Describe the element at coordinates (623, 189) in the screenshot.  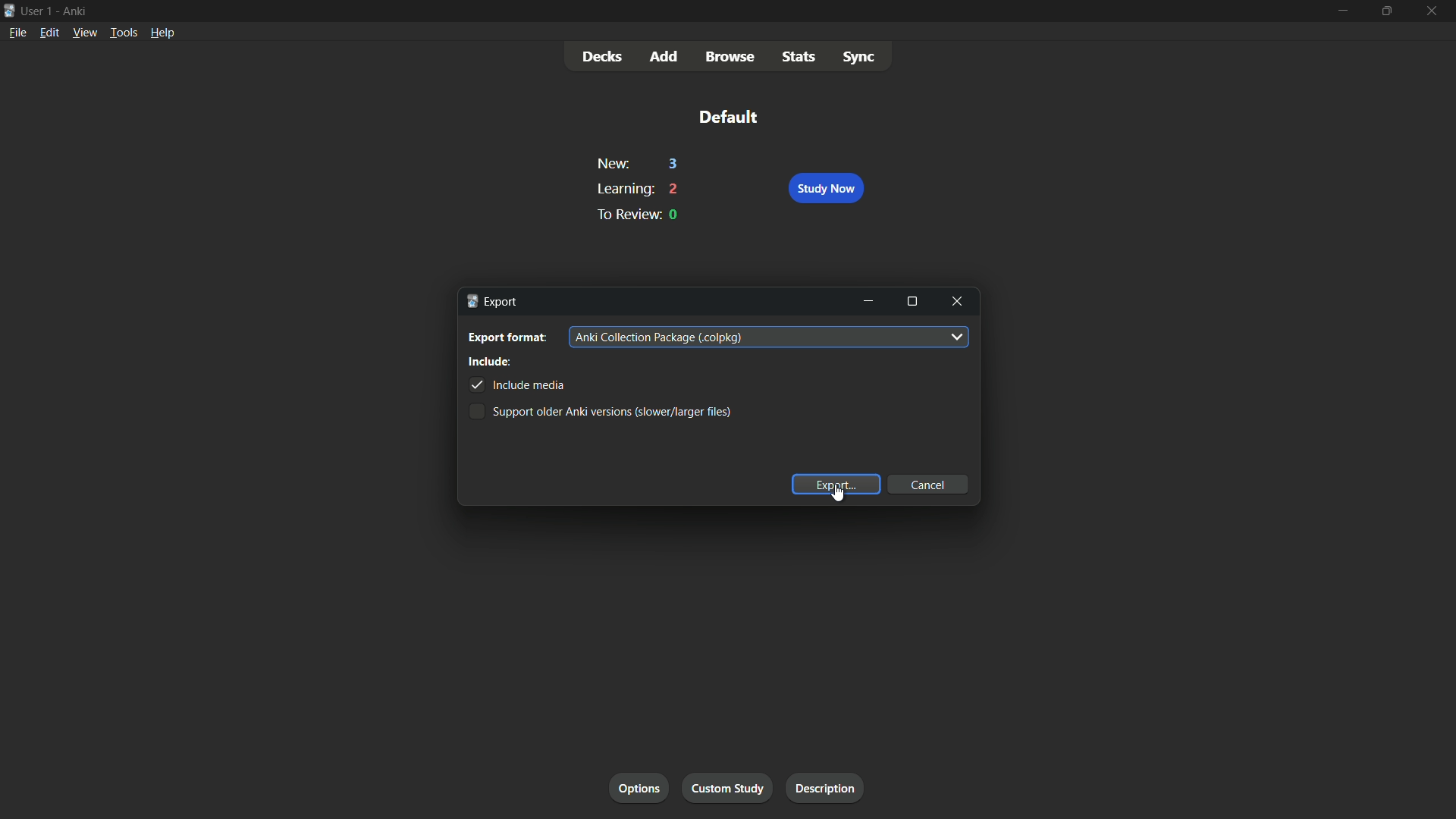
I see `learning` at that location.